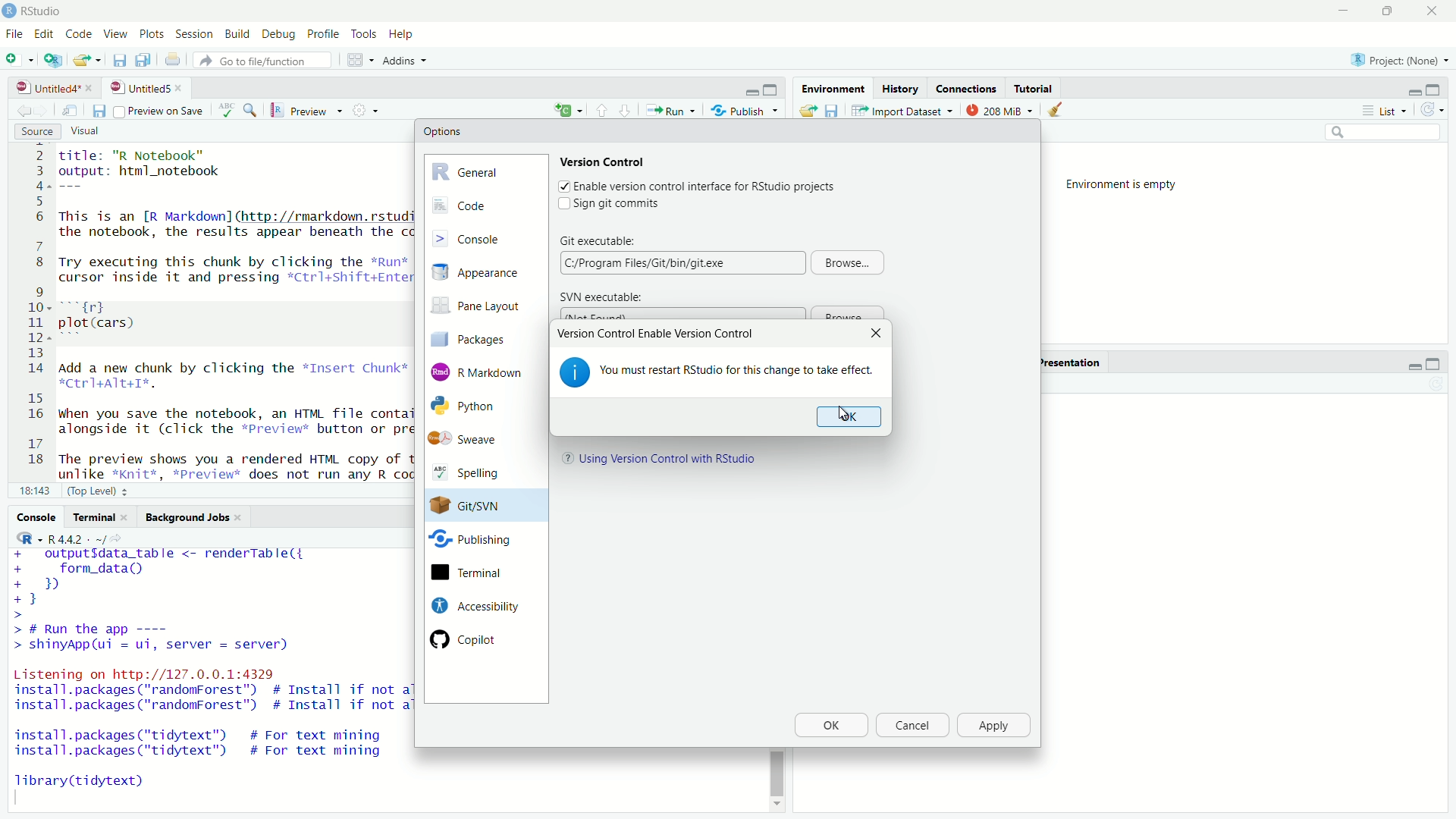 Image resolution: width=1456 pixels, height=819 pixels. I want to click on Publishing, so click(472, 542).